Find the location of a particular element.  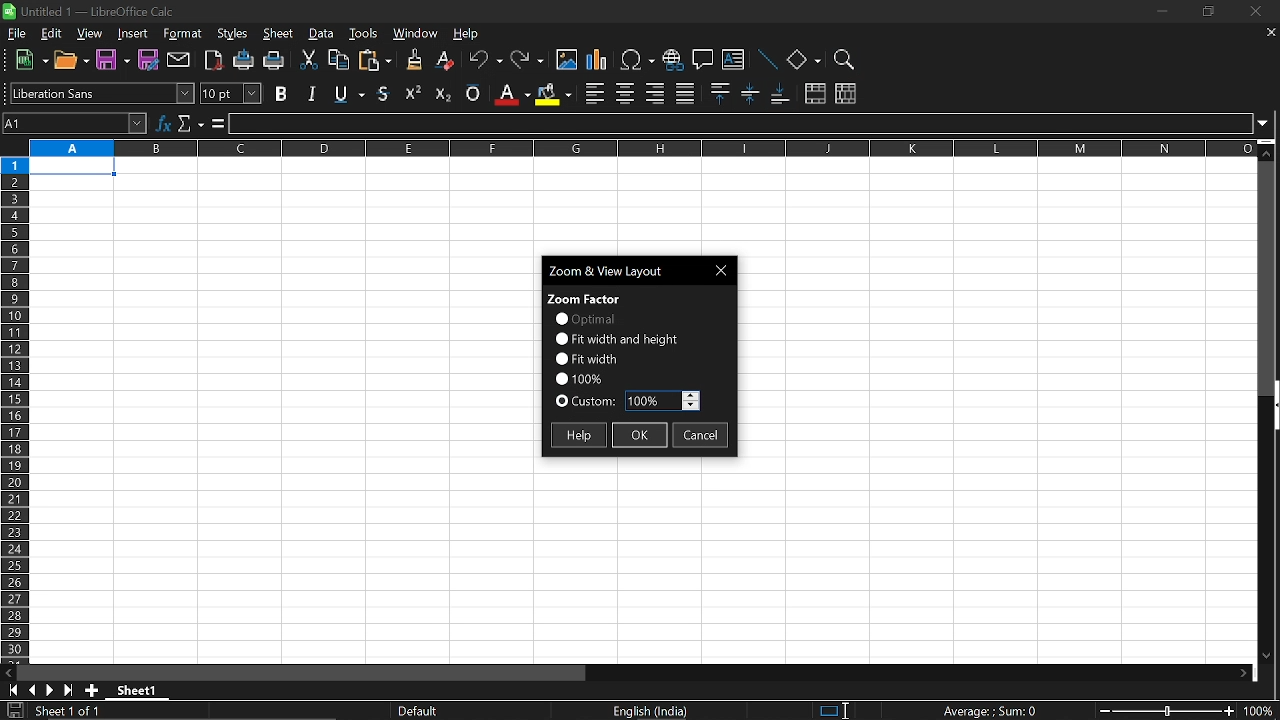

paste is located at coordinates (374, 62).